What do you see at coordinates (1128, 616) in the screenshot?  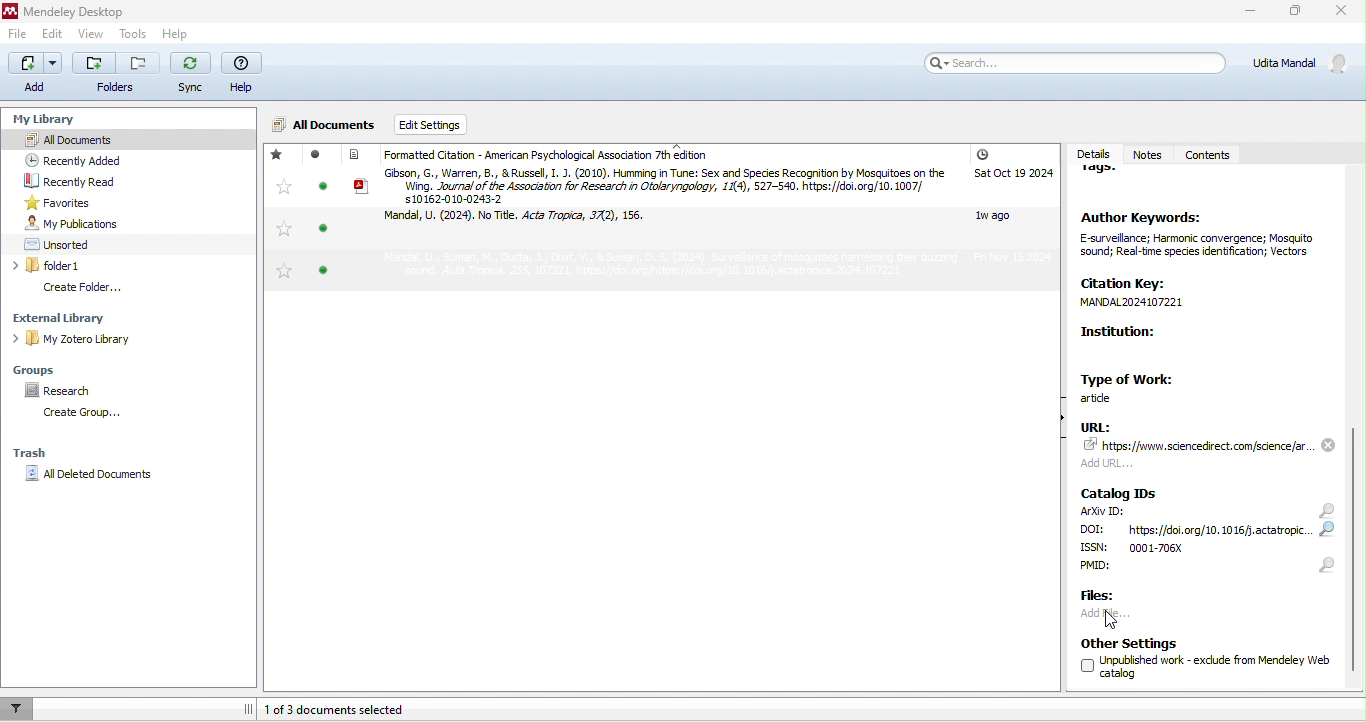 I see `add file` at bounding box center [1128, 616].